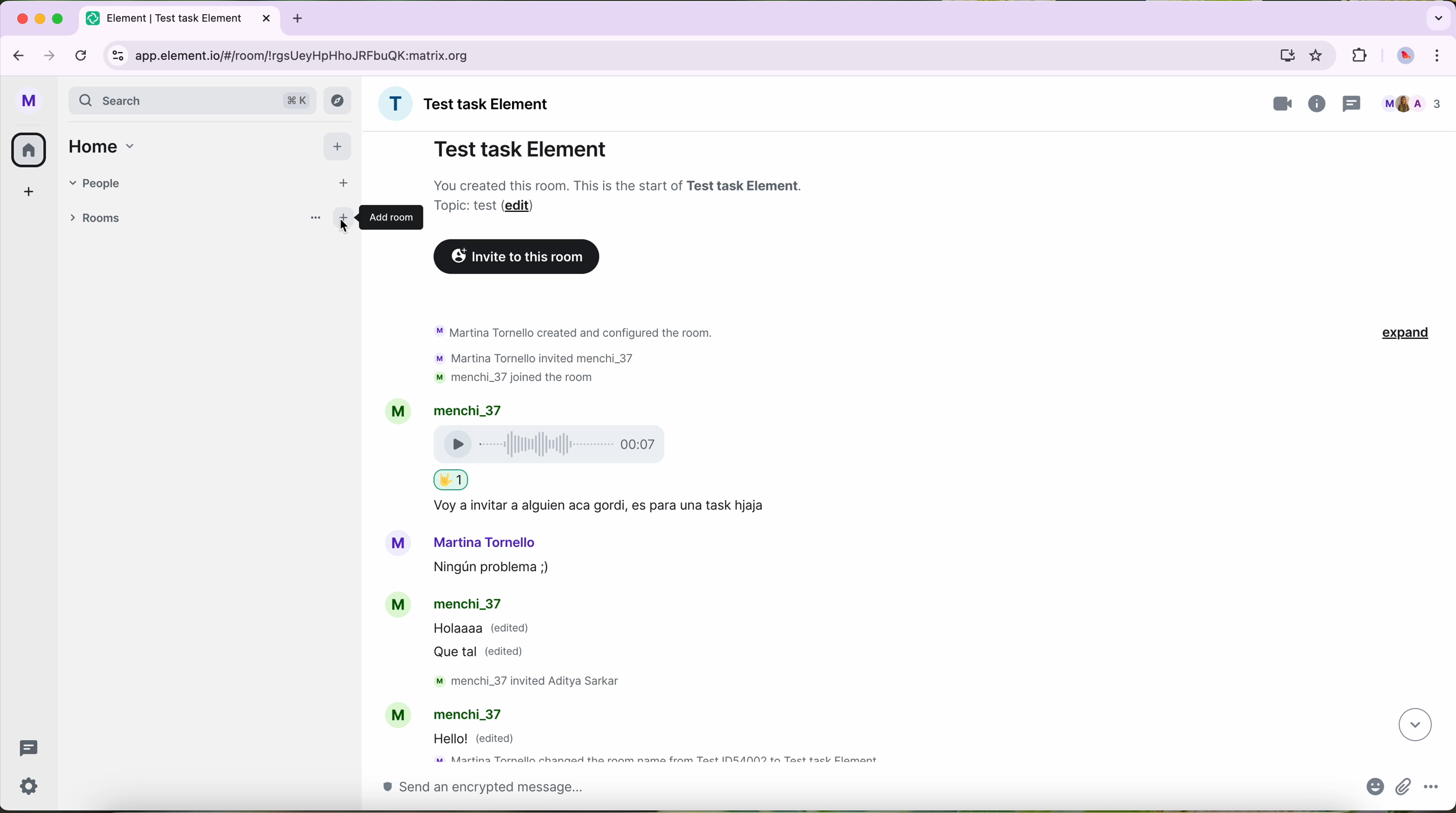 The image size is (1456, 813). I want to click on minimize, so click(42, 19).